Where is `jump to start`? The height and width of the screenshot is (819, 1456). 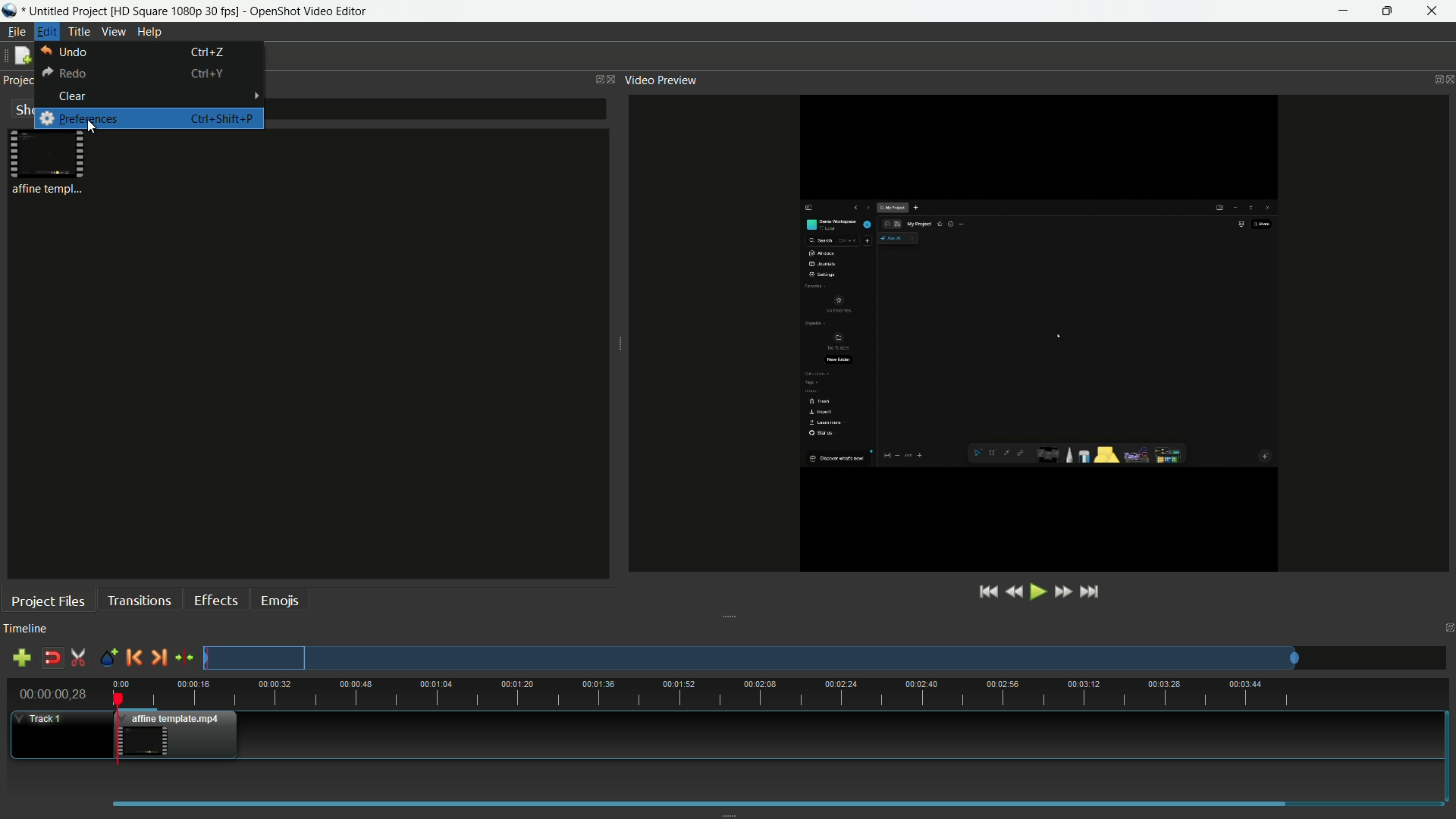
jump to start is located at coordinates (987, 592).